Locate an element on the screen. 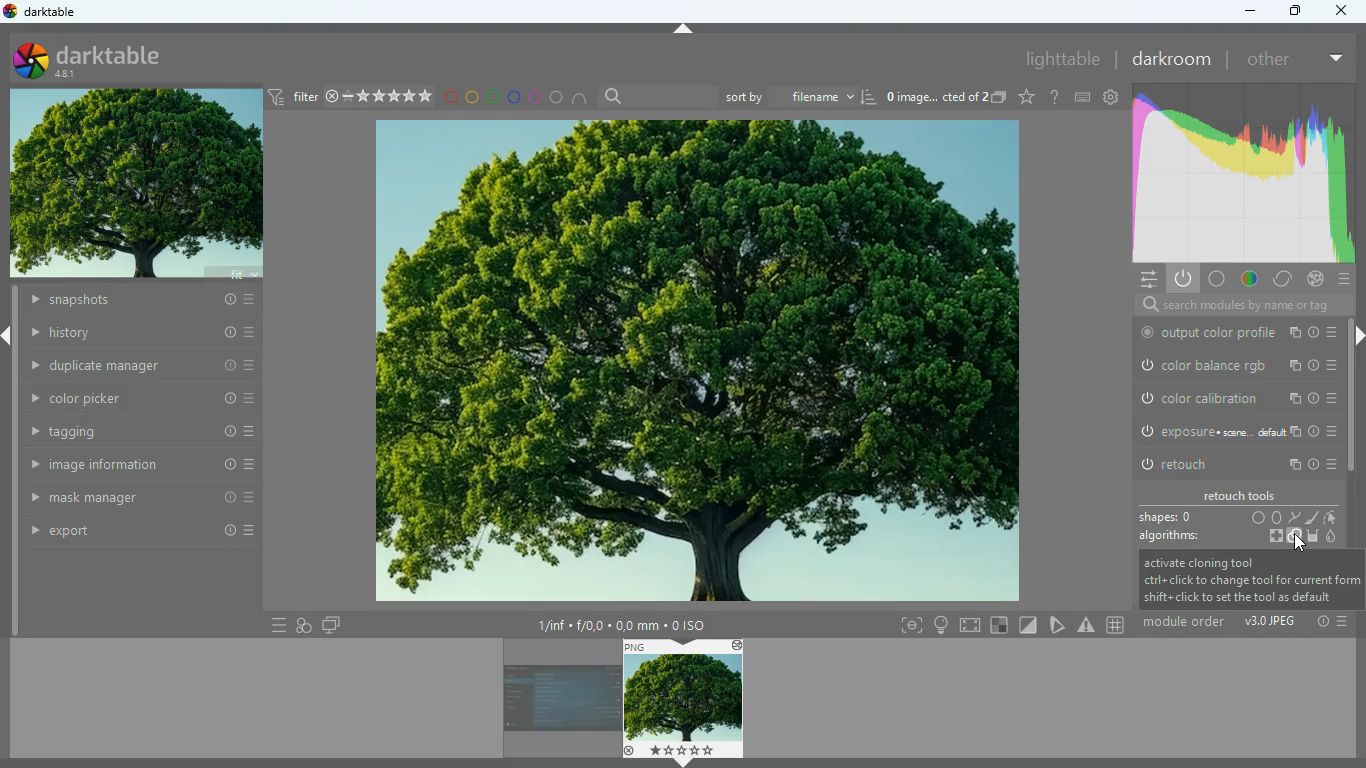 This screenshot has width=1366, height=768. mask manager is located at coordinates (143, 498).